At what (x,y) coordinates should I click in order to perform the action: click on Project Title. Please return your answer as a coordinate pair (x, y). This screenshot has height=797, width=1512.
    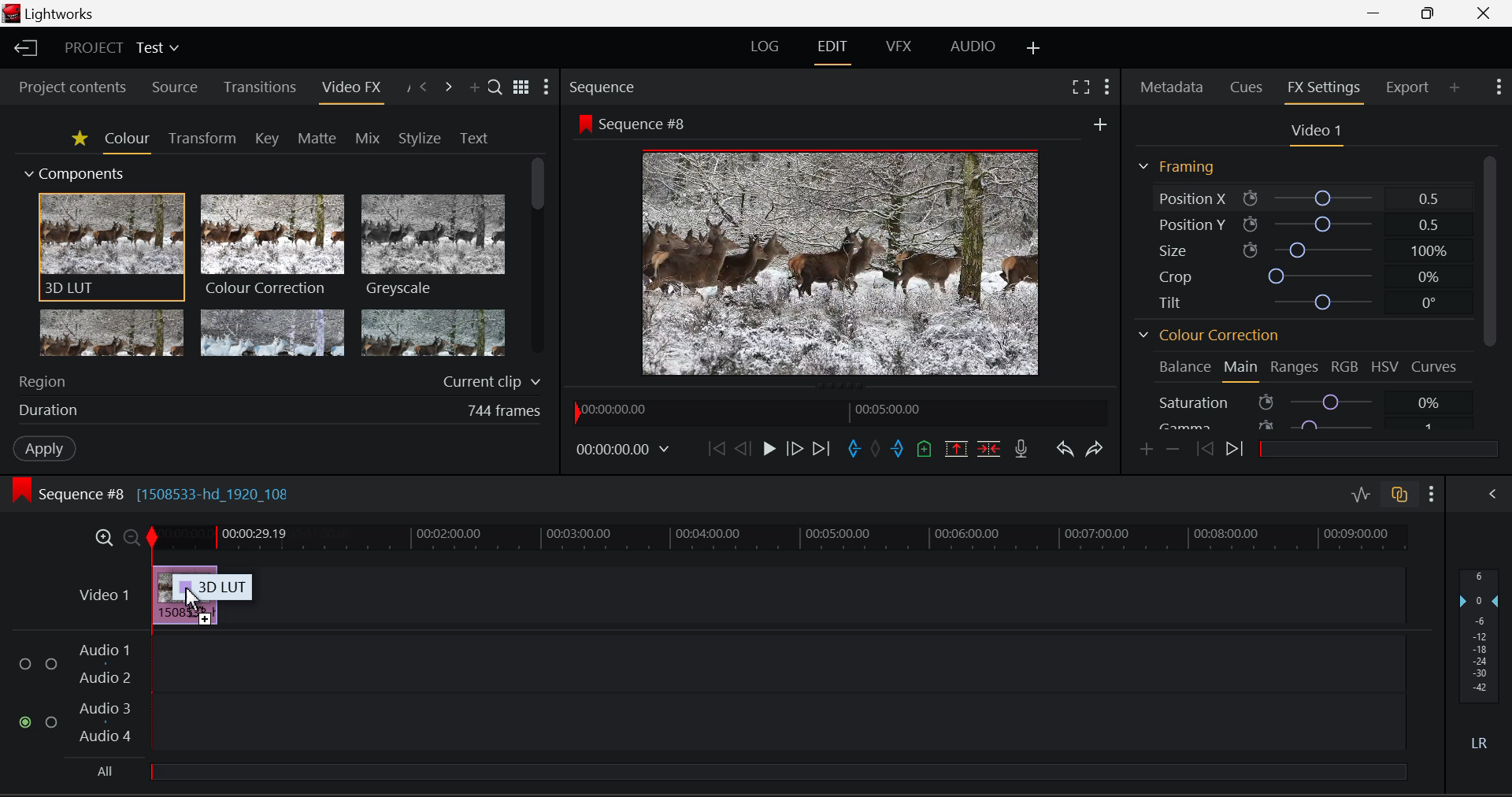
    Looking at the image, I should click on (123, 46).